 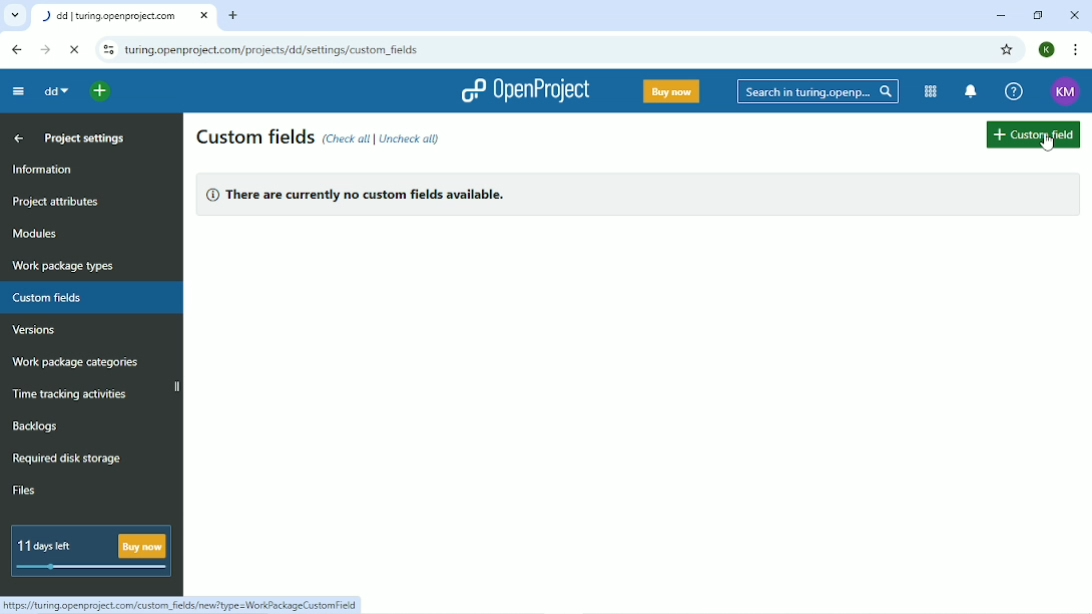 What do you see at coordinates (38, 234) in the screenshot?
I see `Modules` at bounding box center [38, 234].